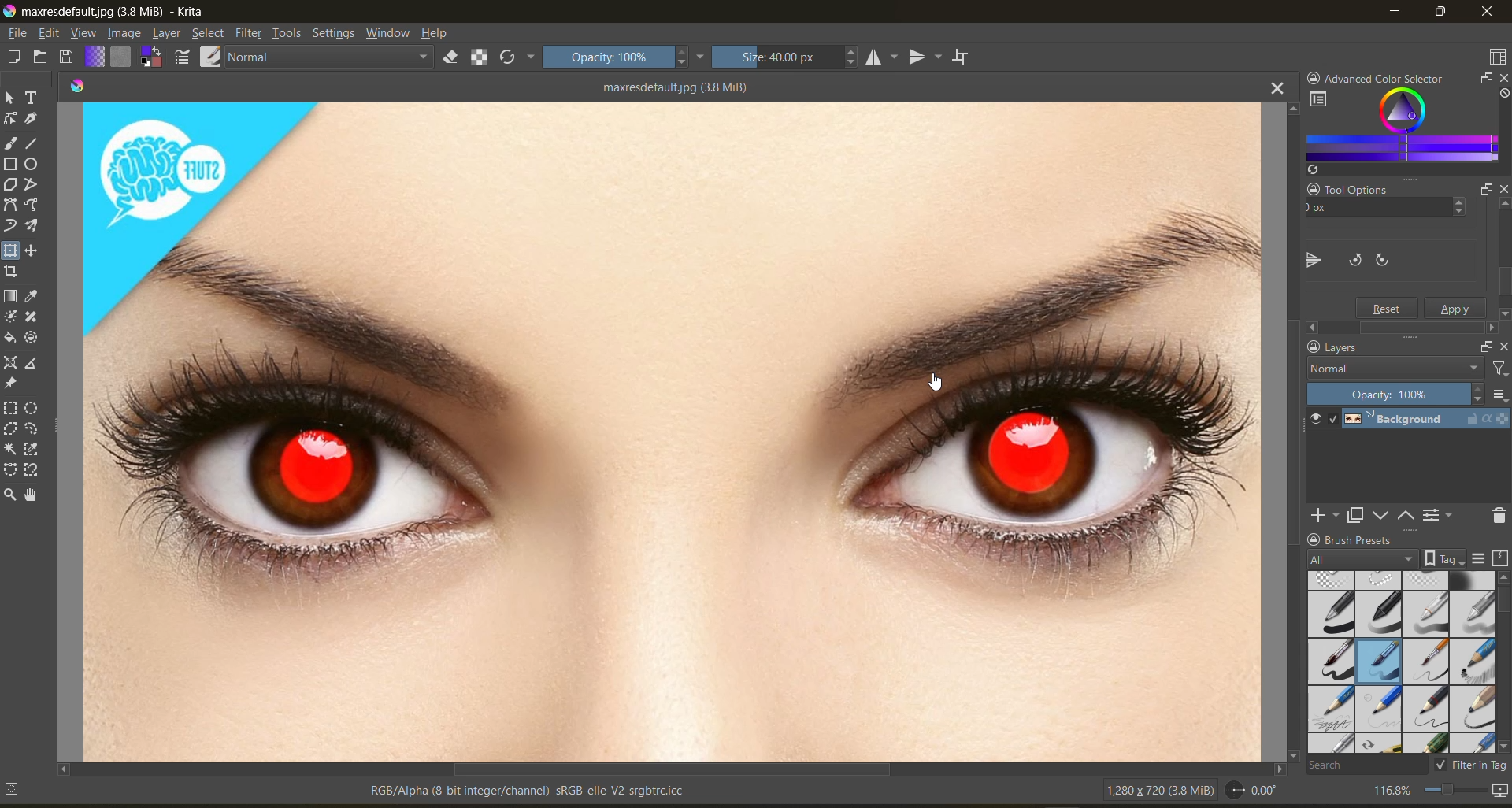 This screenshot has height=808, width=1512. I want to click on cursor, so click(936, 386).